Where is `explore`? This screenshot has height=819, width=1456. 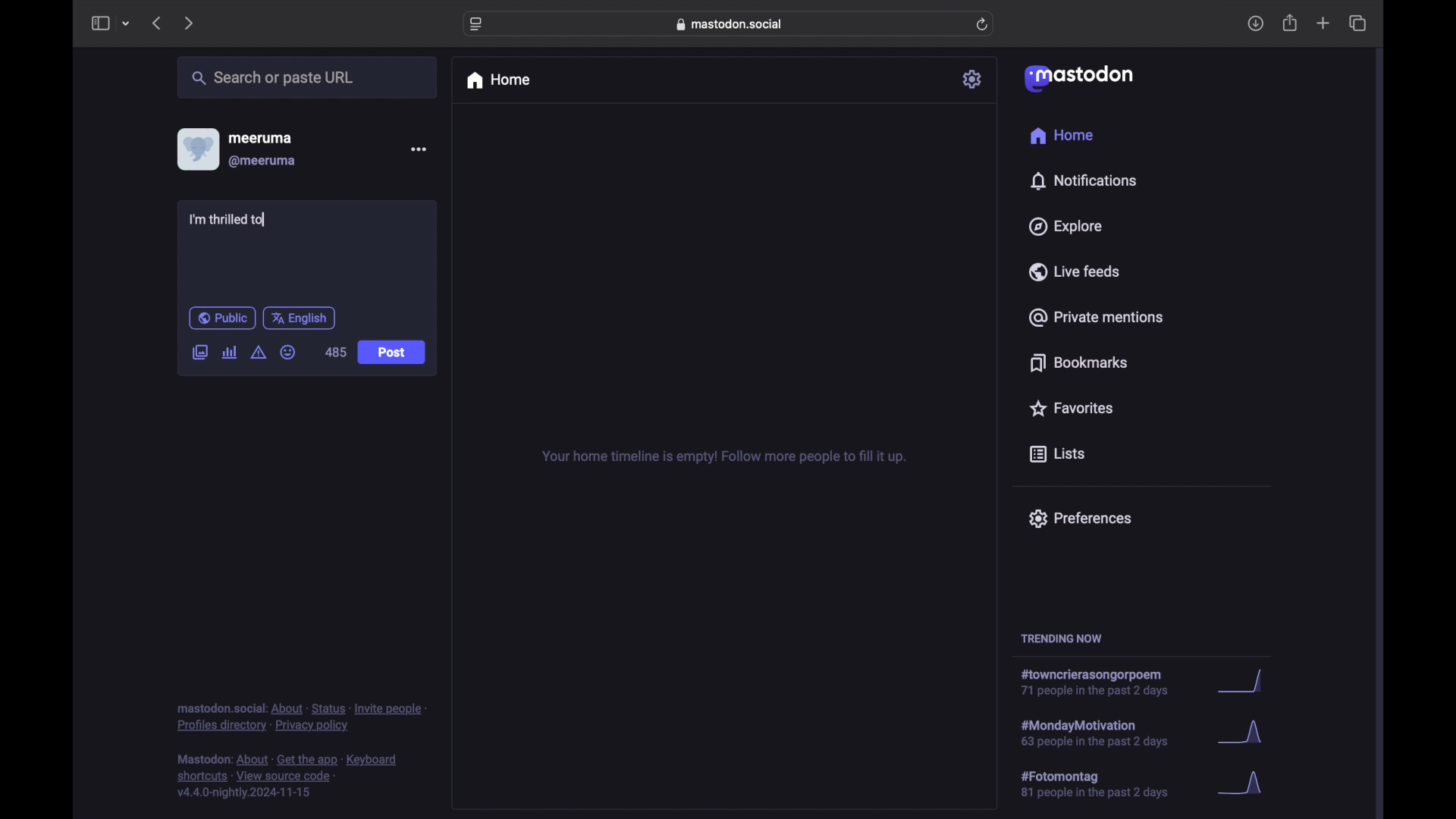 explore is located at coordinates (1066, 227).